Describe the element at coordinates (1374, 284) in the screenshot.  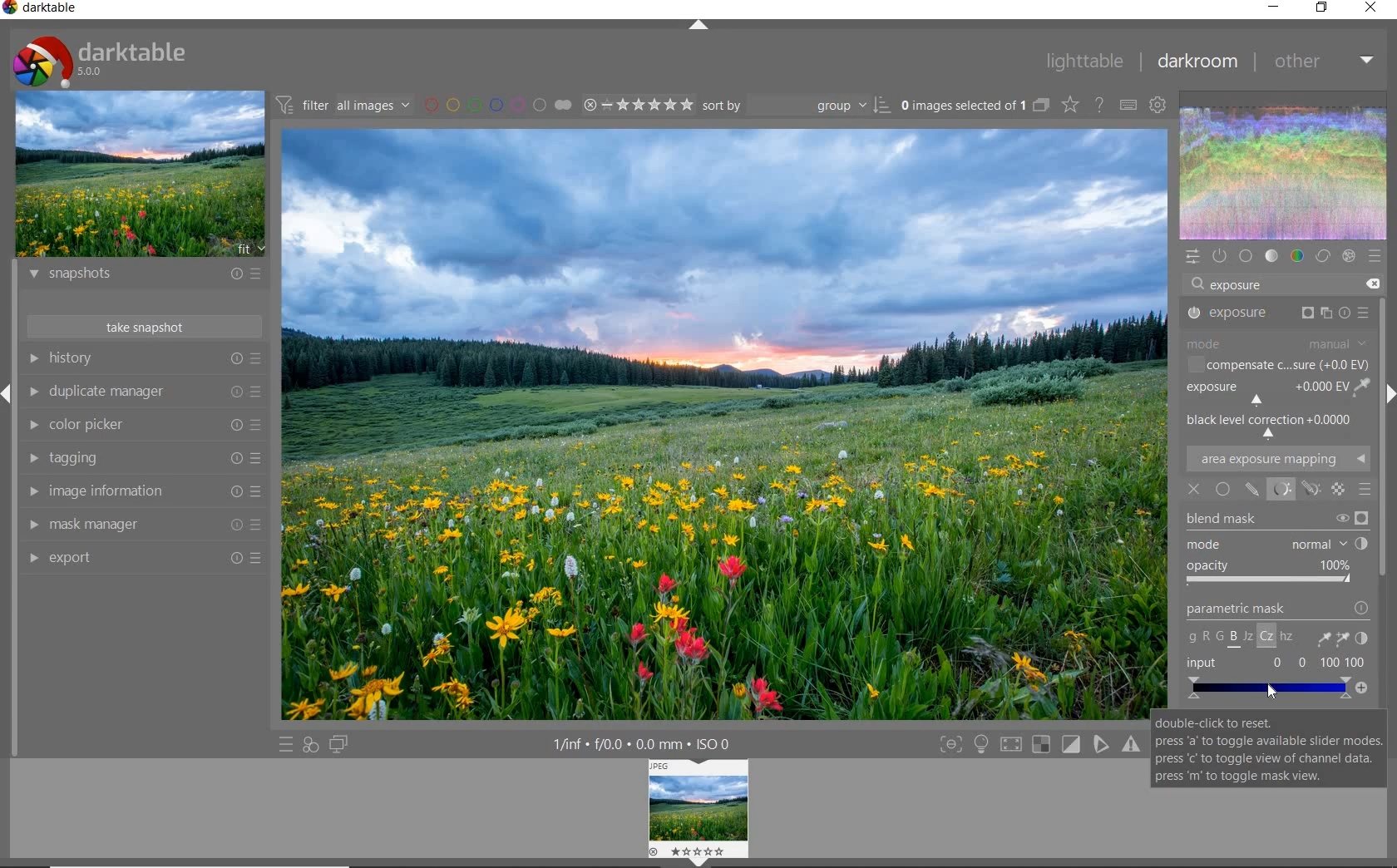
I see `DELETE` at that location.